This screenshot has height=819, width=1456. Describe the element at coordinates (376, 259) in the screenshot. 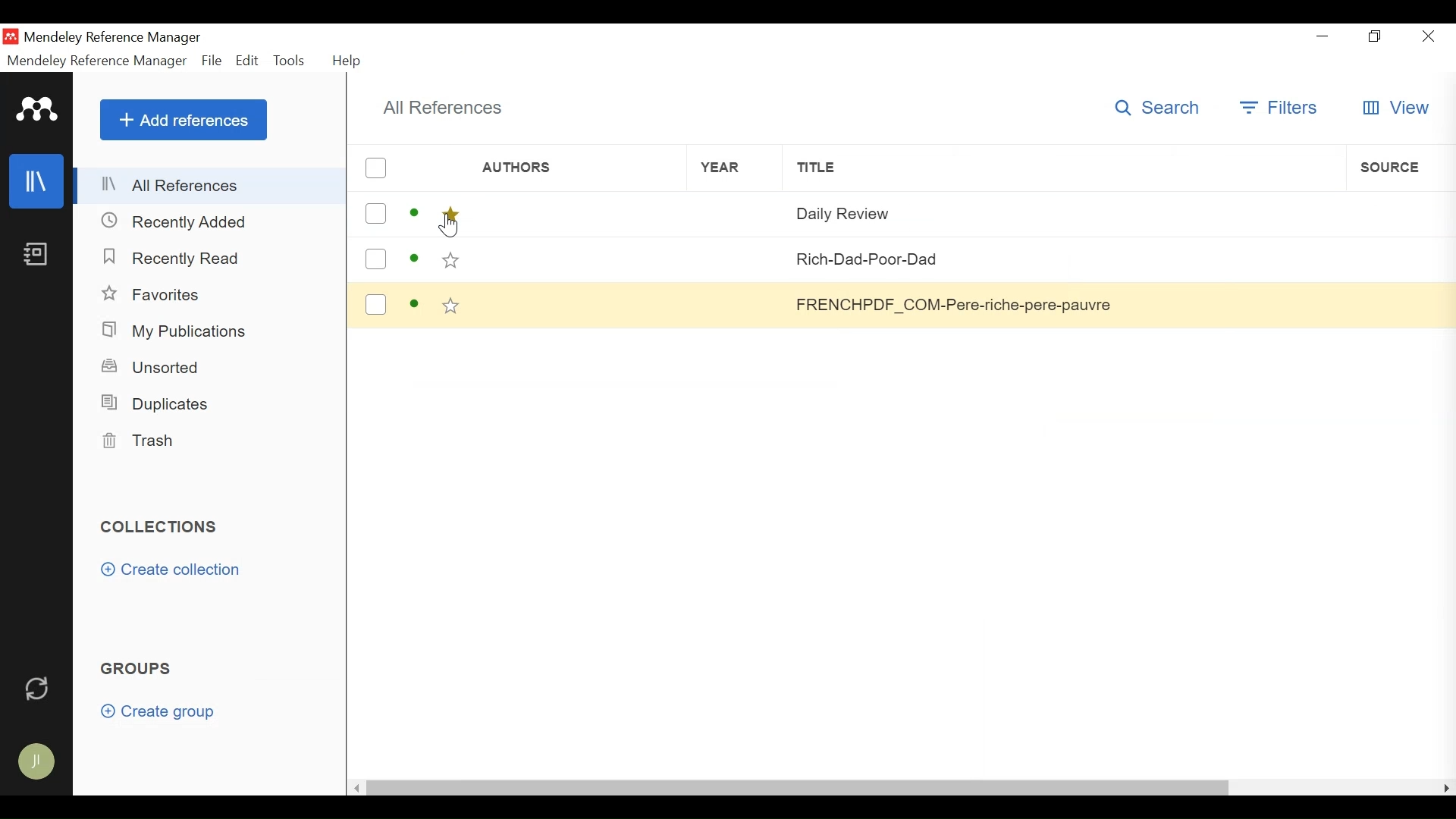

I see `(un)select` at that location.